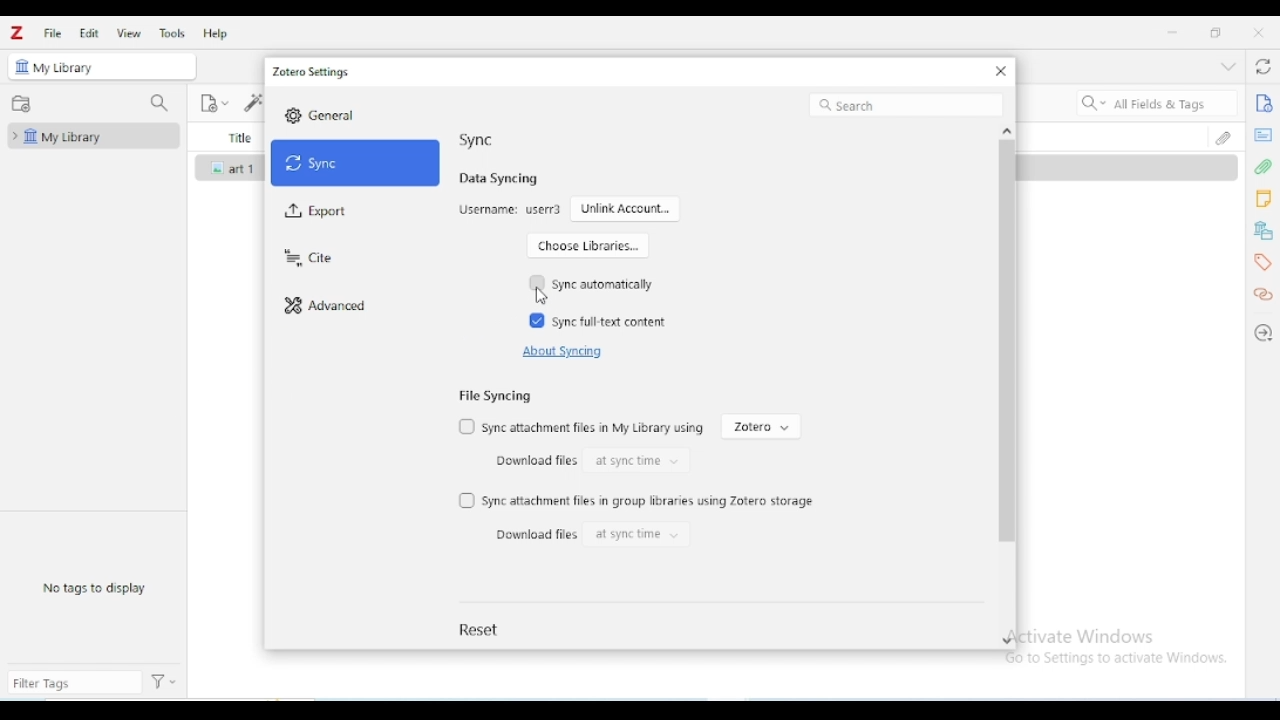 Image resolution: width=1280 pixels, height=720 pixels. Describe the element at coordinates (538, 282) in the screenshot. I see `Checkbox ` at that location.